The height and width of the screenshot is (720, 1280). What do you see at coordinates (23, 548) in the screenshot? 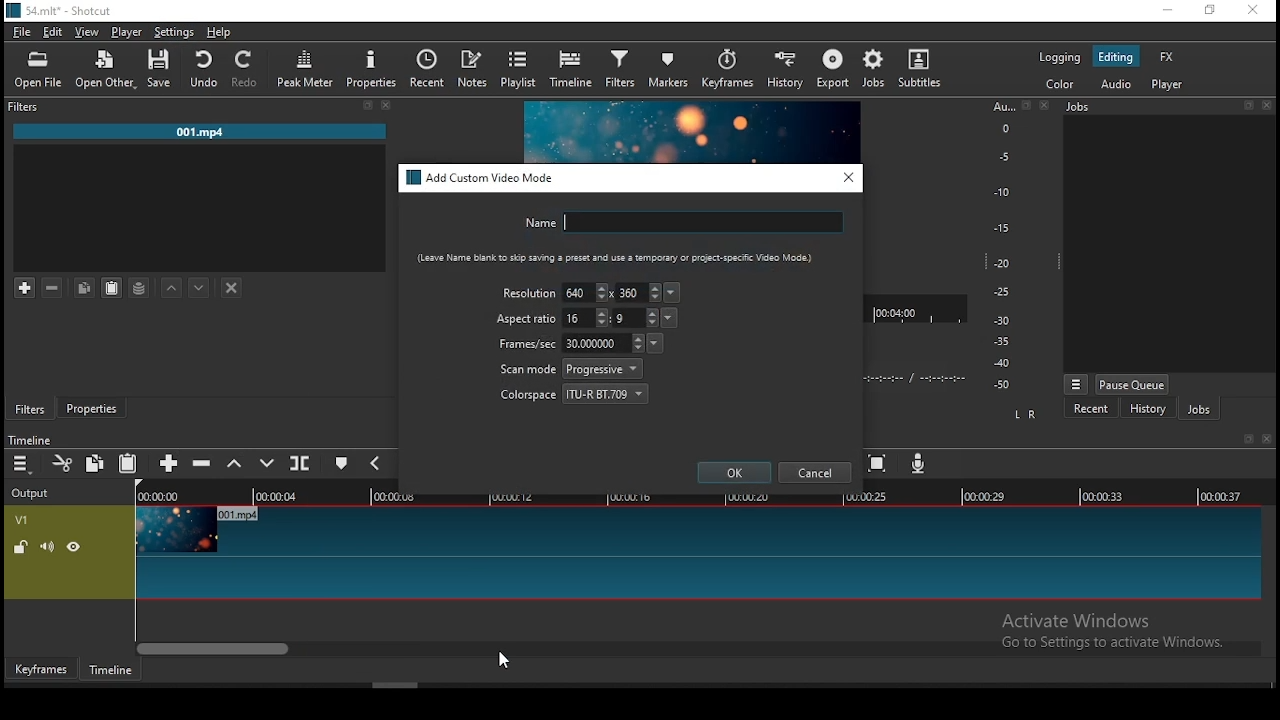
I see `unlock` at bounding box center [23, 548].